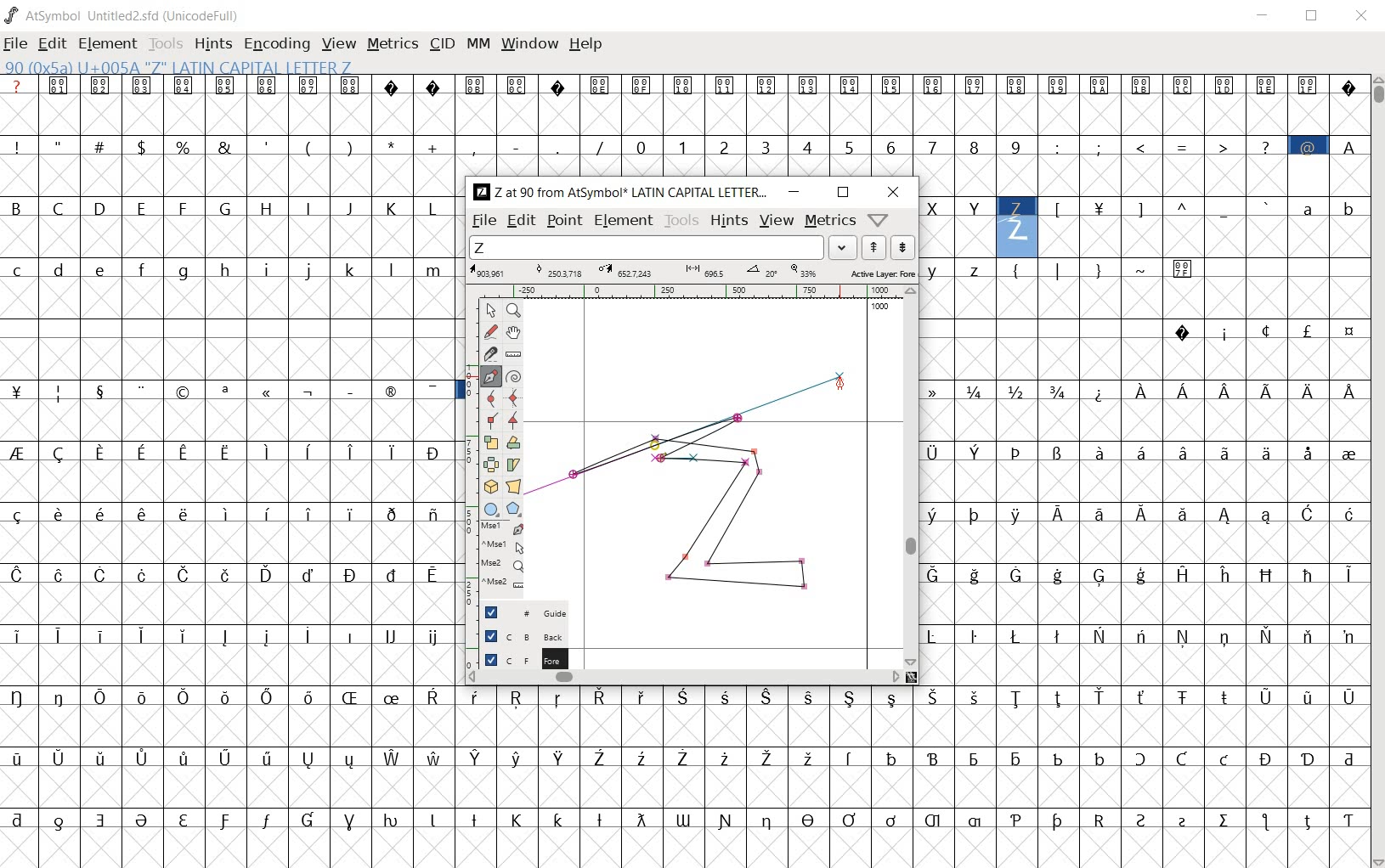 Image resolution: width=1385 pixels, height=868 pixels. What do you see at coordinates (513, 311) in the screenshot?
I see `MAGNIFY` at bounding box center [513, 311].